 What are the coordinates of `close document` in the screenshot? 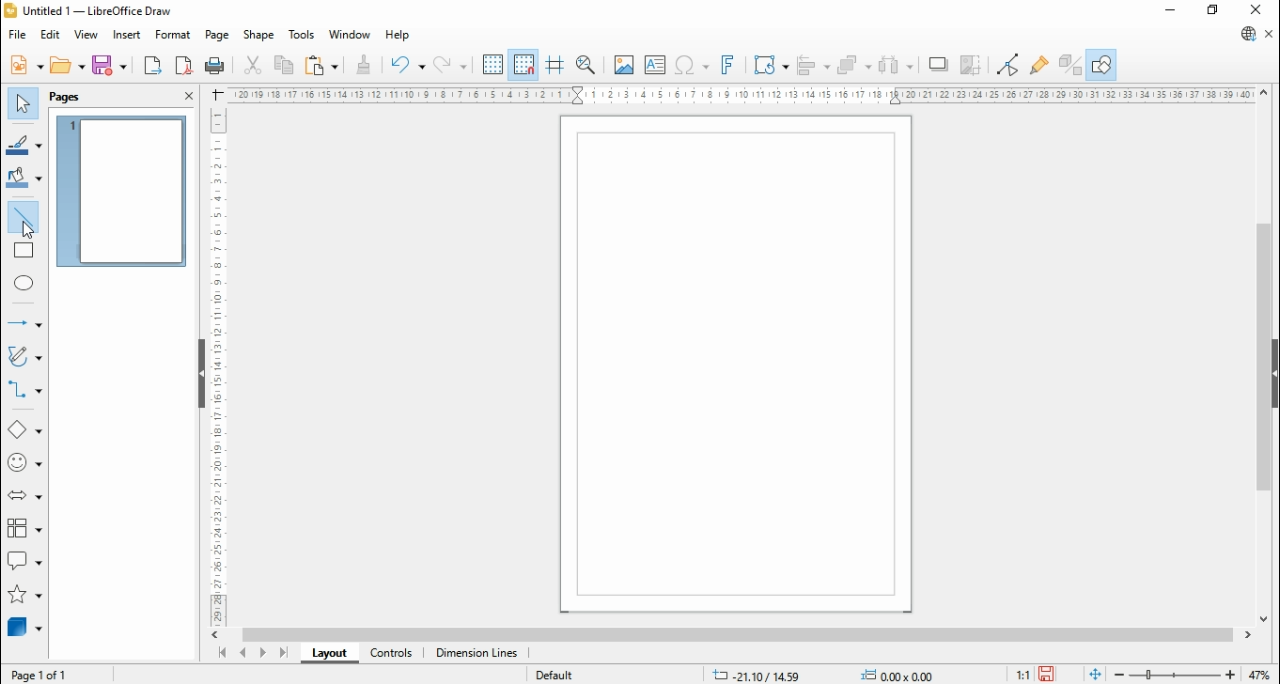 It's located at (1270, 34).